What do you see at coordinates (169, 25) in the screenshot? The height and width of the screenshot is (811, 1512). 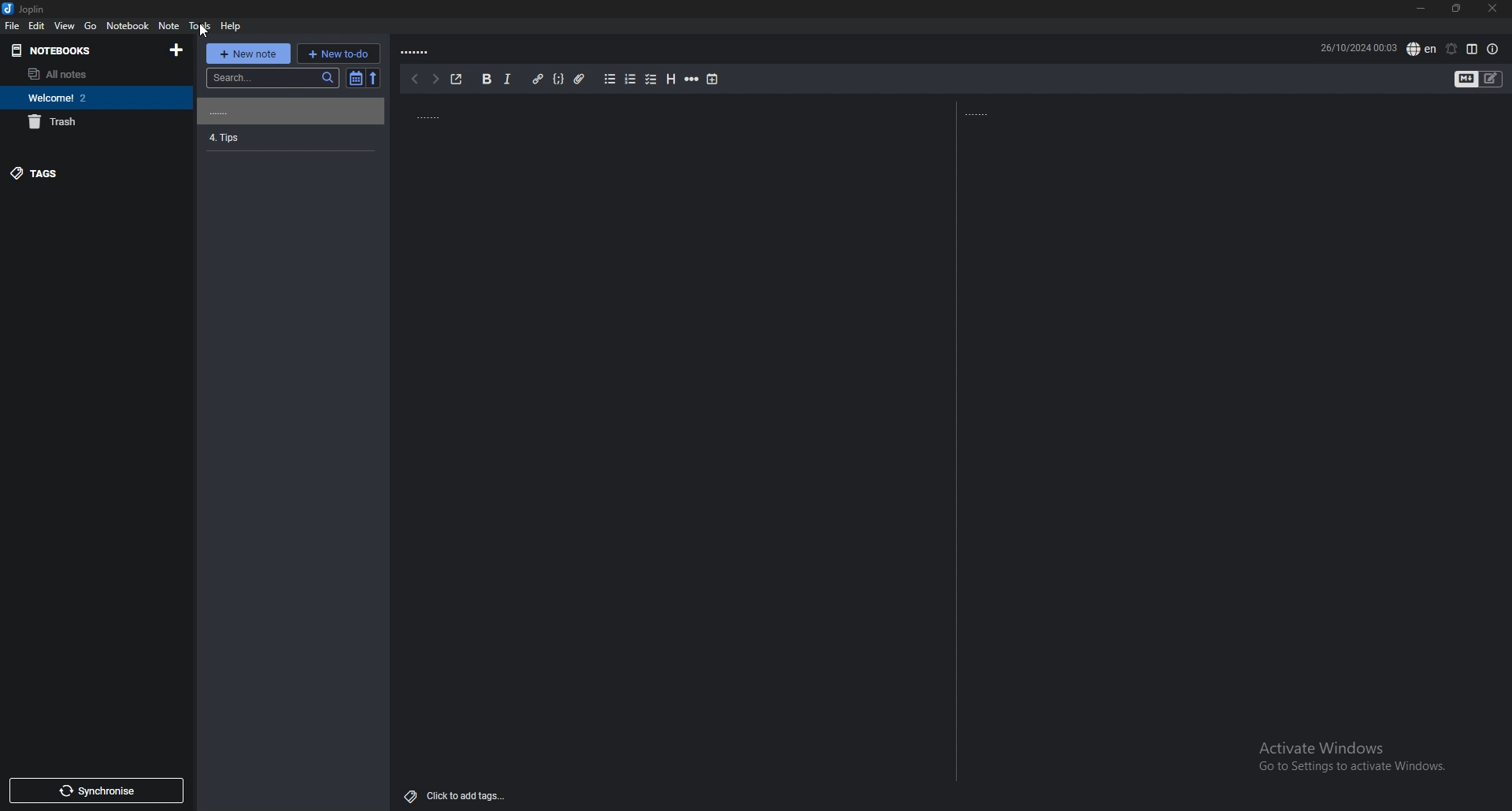 I see `note` at bounding box center [169, 25].